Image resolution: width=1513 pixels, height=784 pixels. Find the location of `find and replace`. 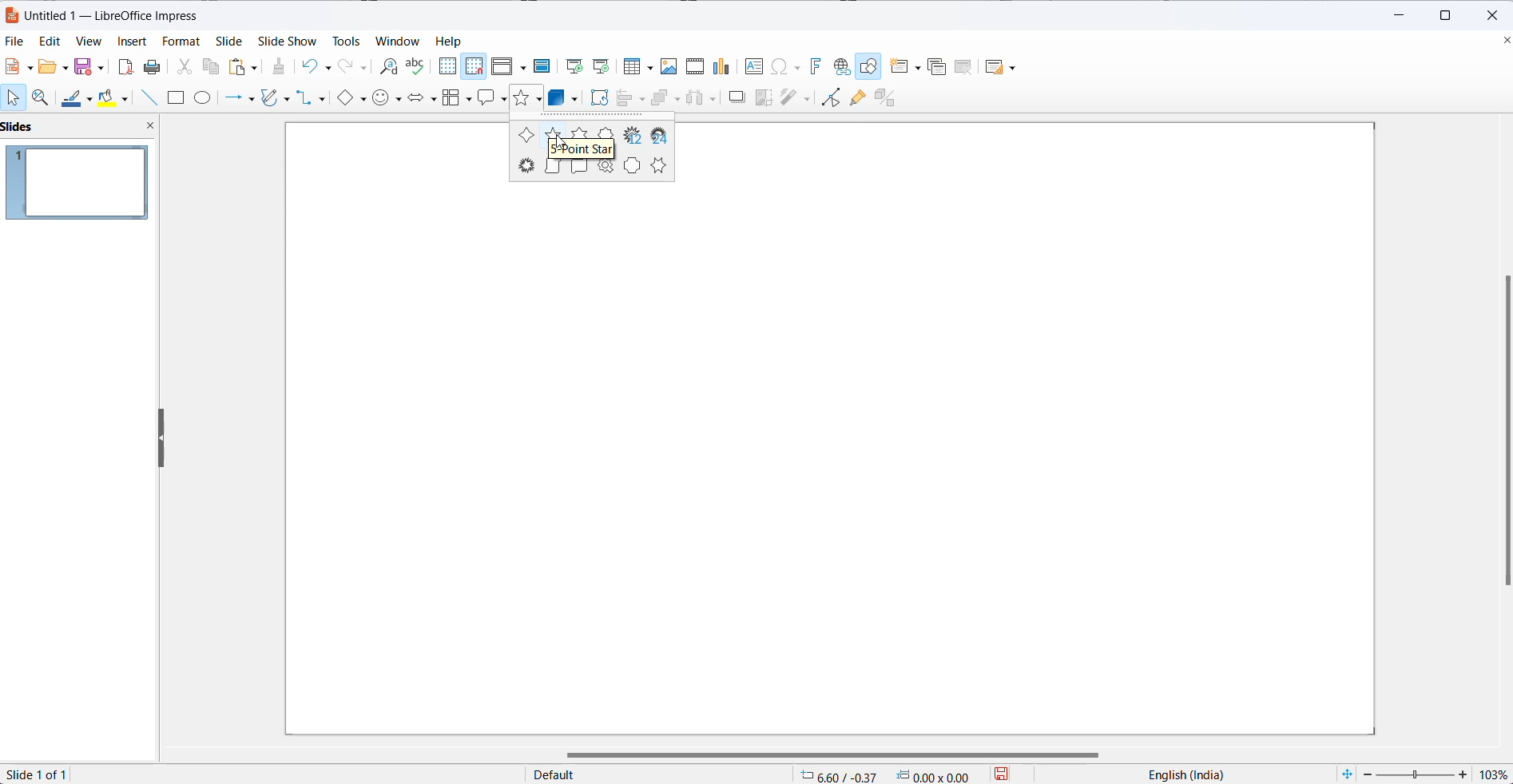

find and replace is located at coordinates (387, 68).